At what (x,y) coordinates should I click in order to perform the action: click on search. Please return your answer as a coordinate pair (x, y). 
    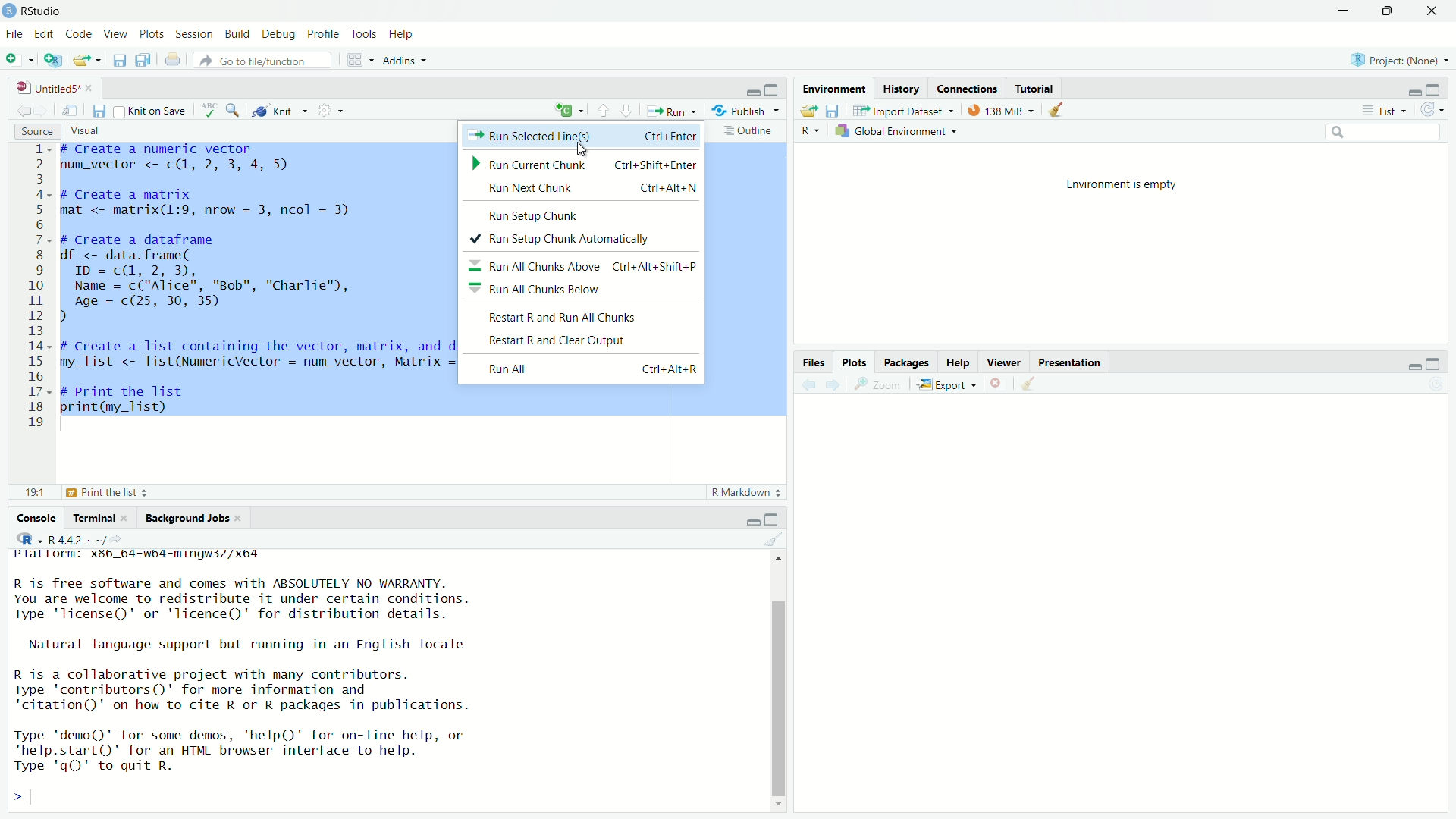
    Looking at the image, I should click on (1384, 134).